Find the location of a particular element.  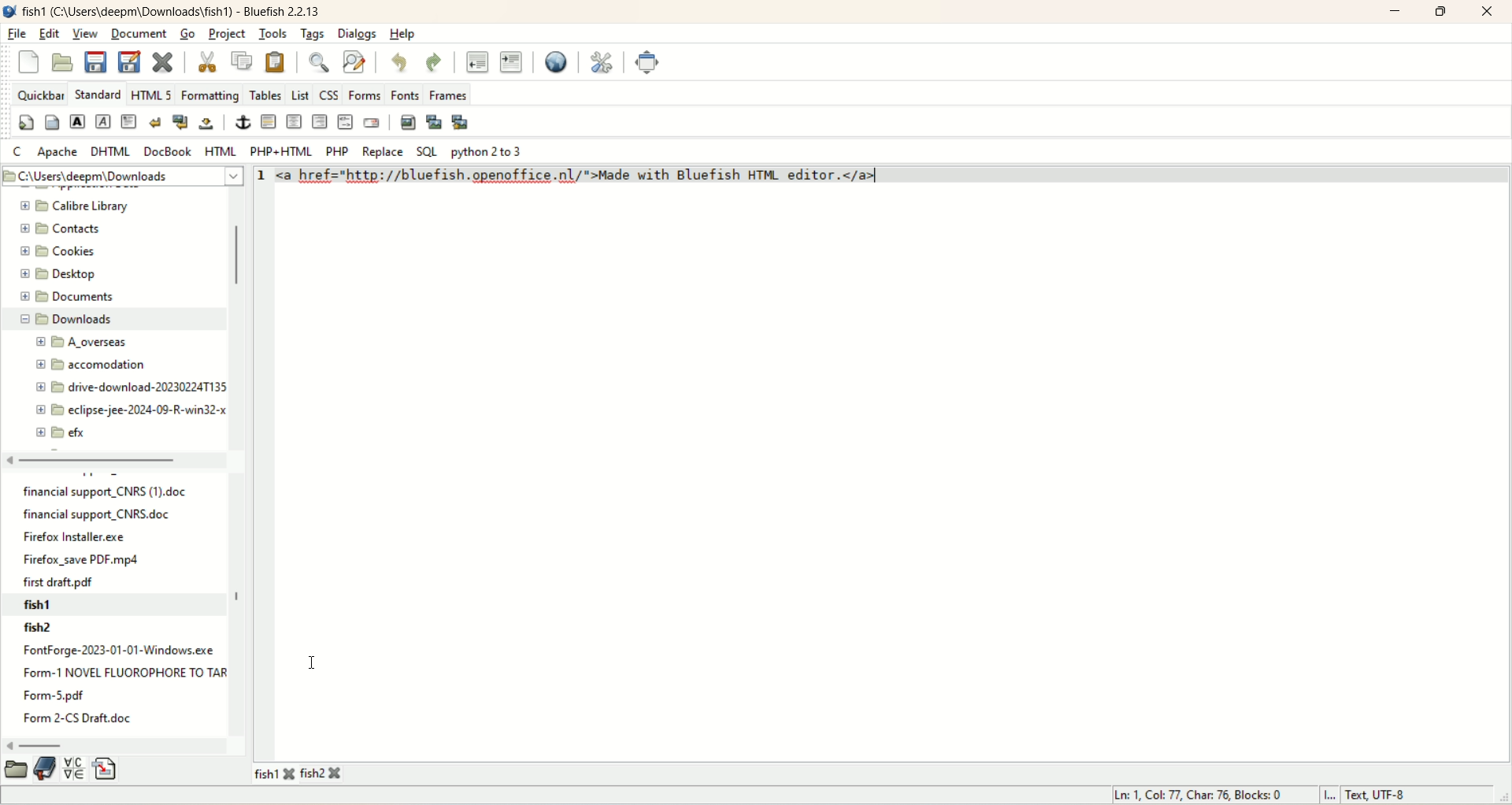

open file is located at coordinates (61, 60).